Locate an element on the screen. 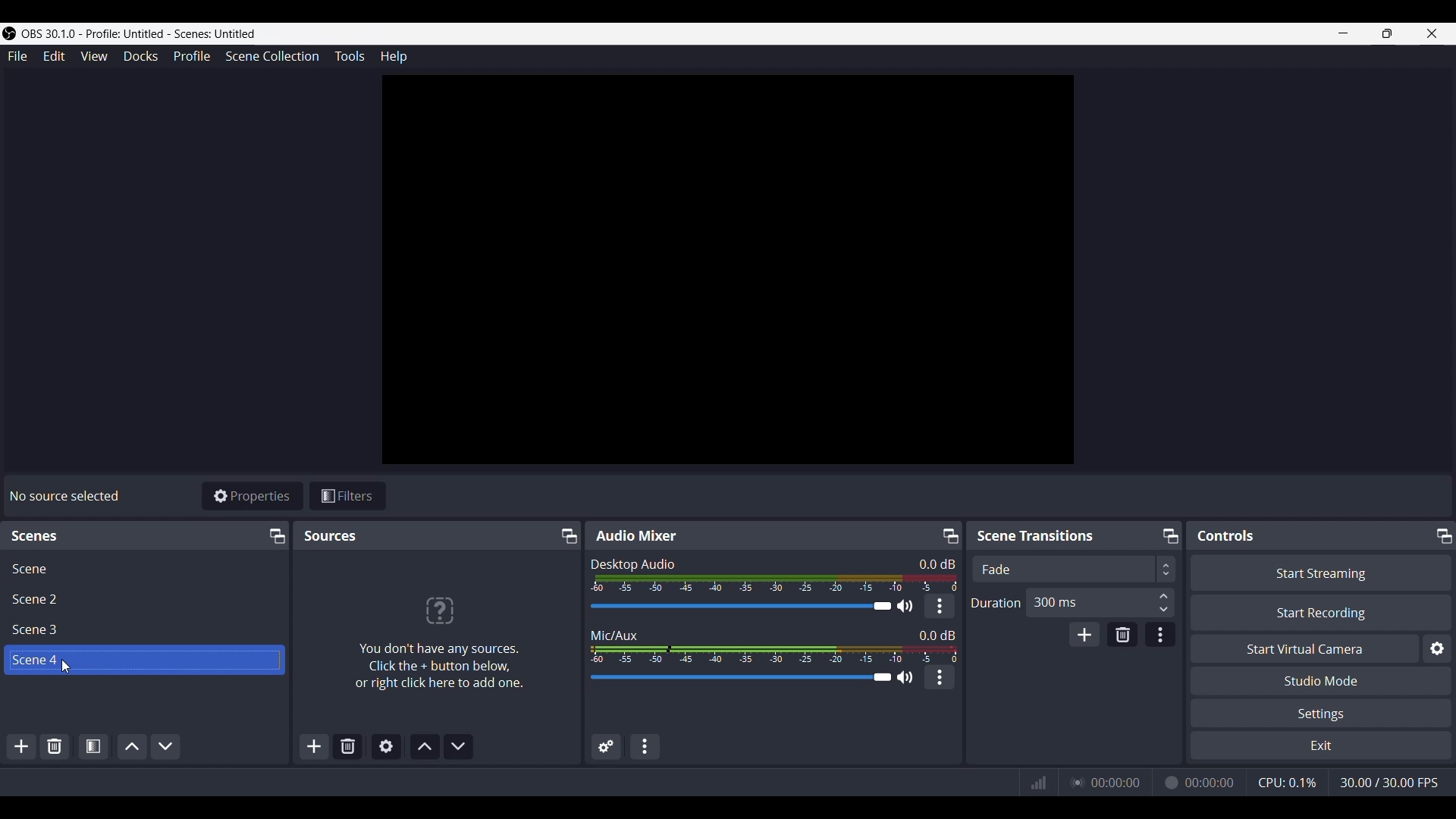 Image resolution: width=1456 pixels, height=819 pixels.  Undock/Pop-out icon is located at coordinates (275, 535).